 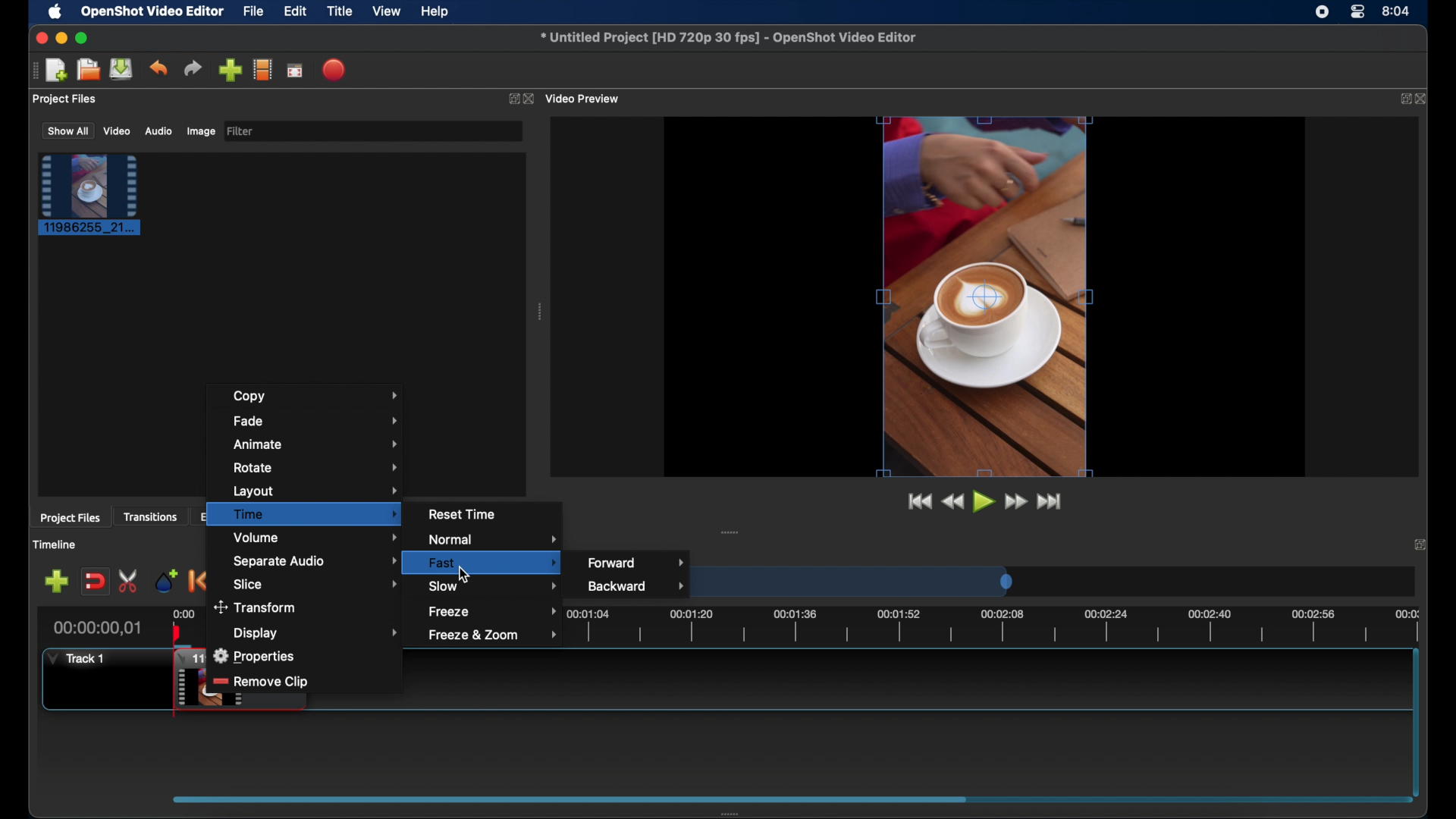 I want to click on add marker, so click(x=167, y=581).